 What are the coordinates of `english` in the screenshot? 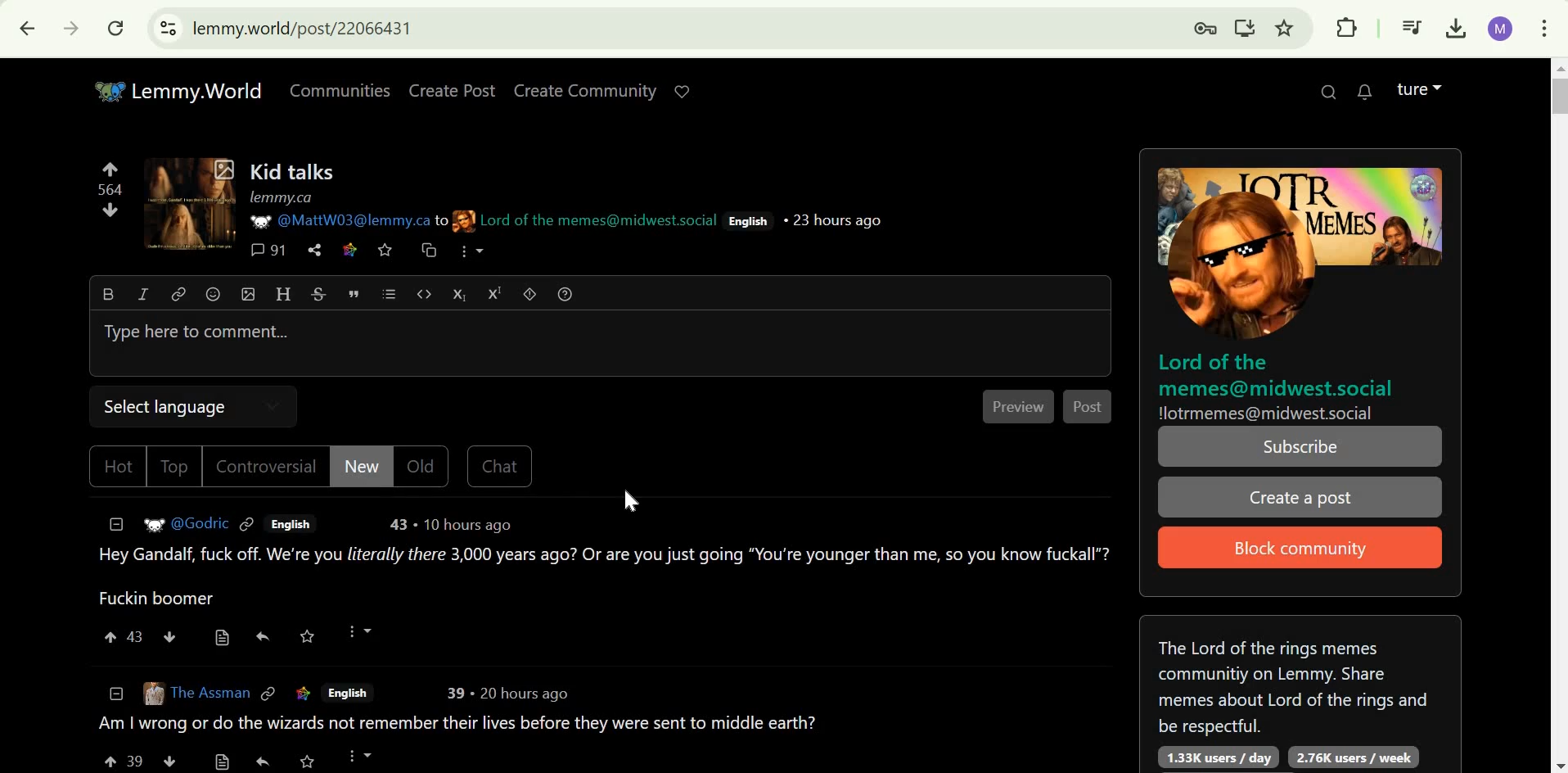 It's located at (358, 695).